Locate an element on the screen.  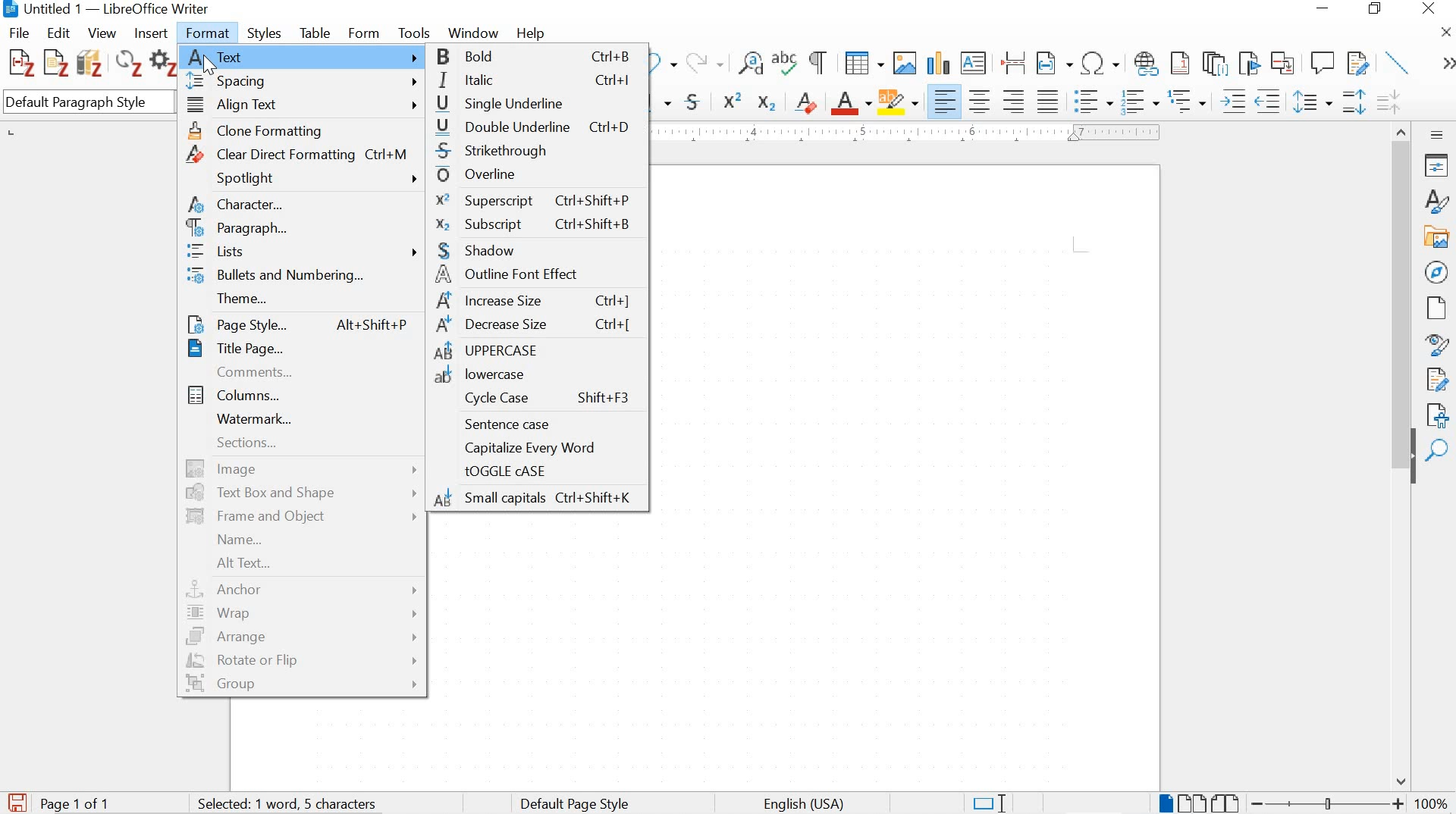
rotate or flip is located at coordinates (302, 659).